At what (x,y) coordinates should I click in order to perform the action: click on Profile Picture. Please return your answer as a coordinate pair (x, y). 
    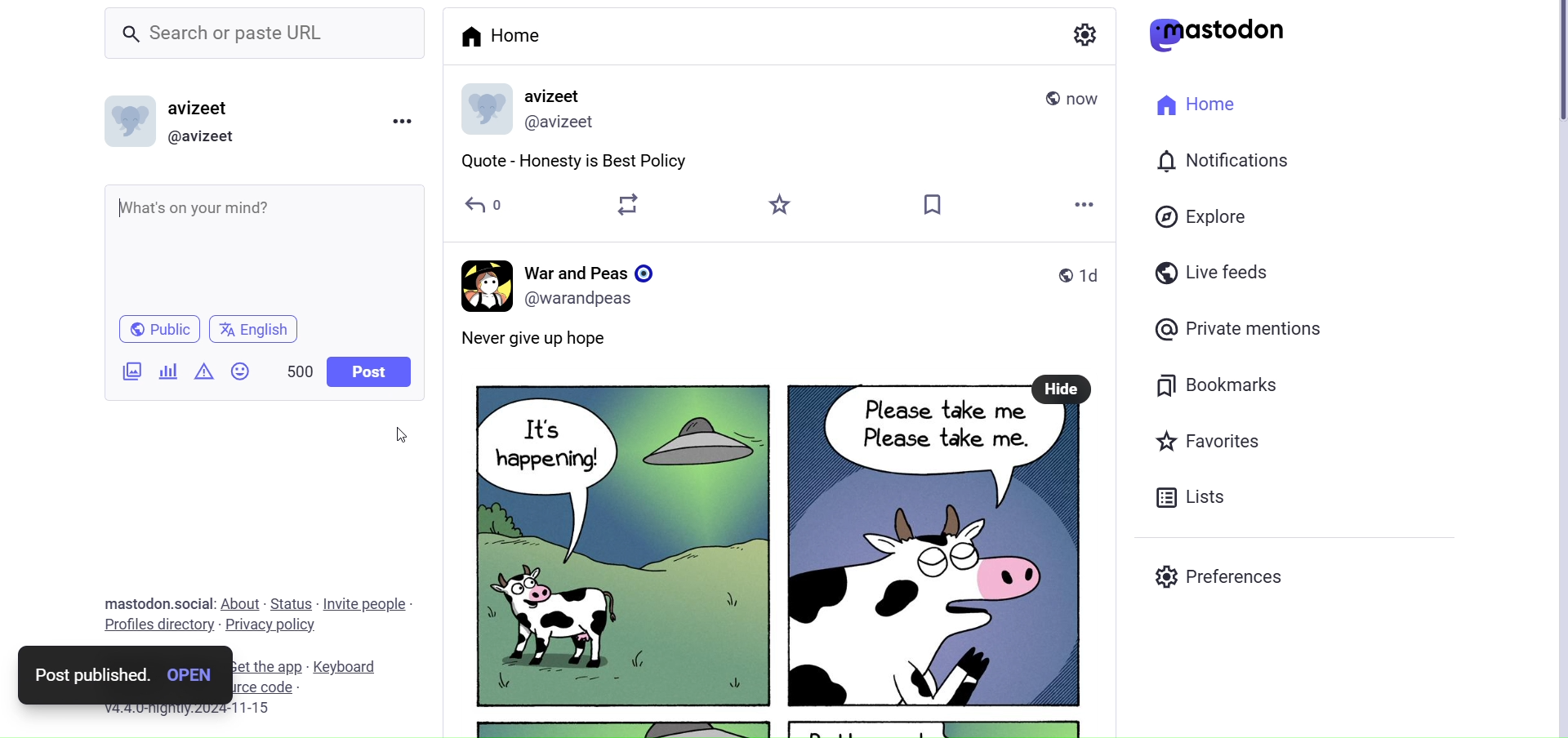
    Looking at the image, I should click on (133, 124).